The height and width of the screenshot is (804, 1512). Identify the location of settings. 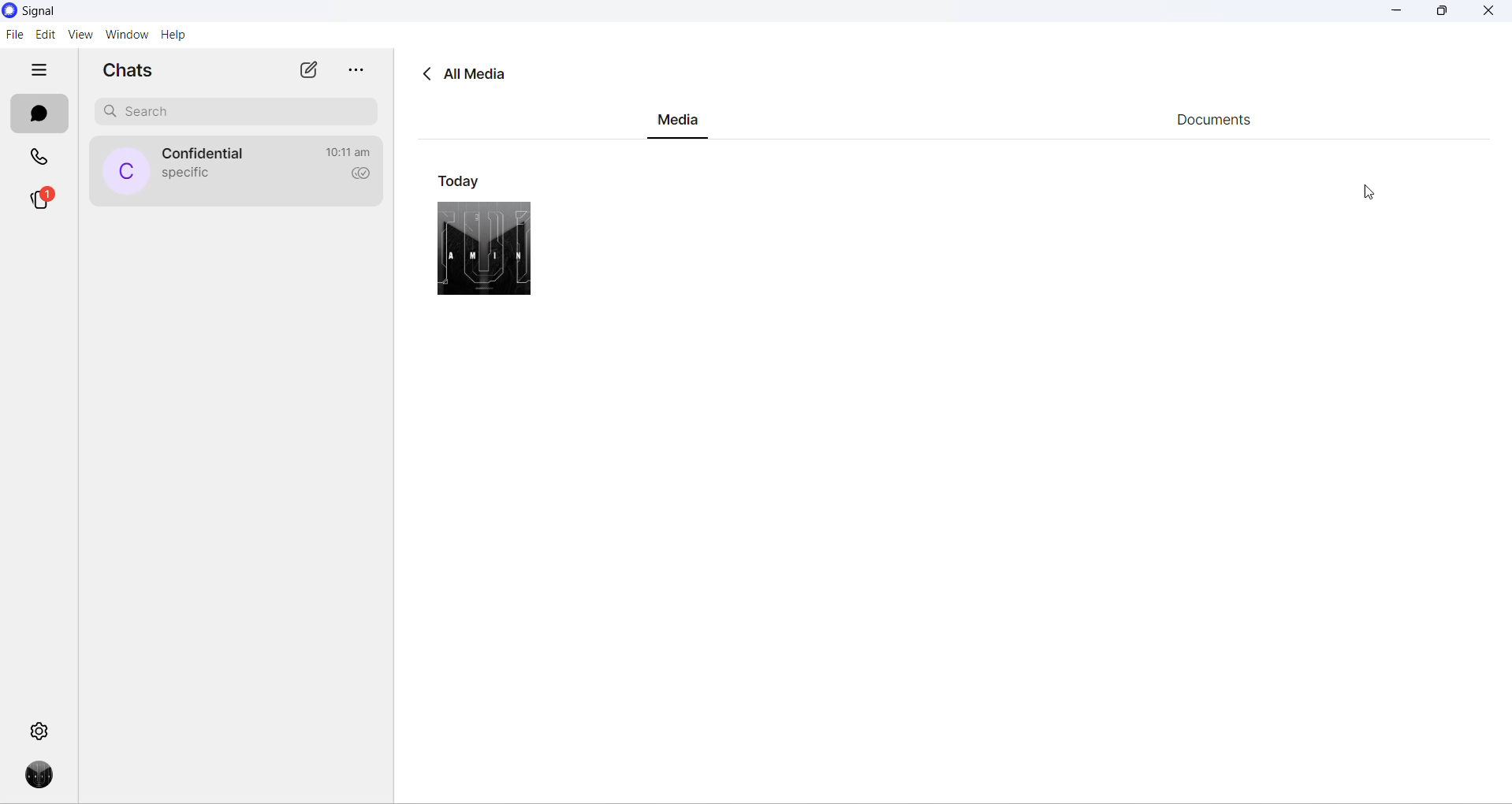
(39, 731).